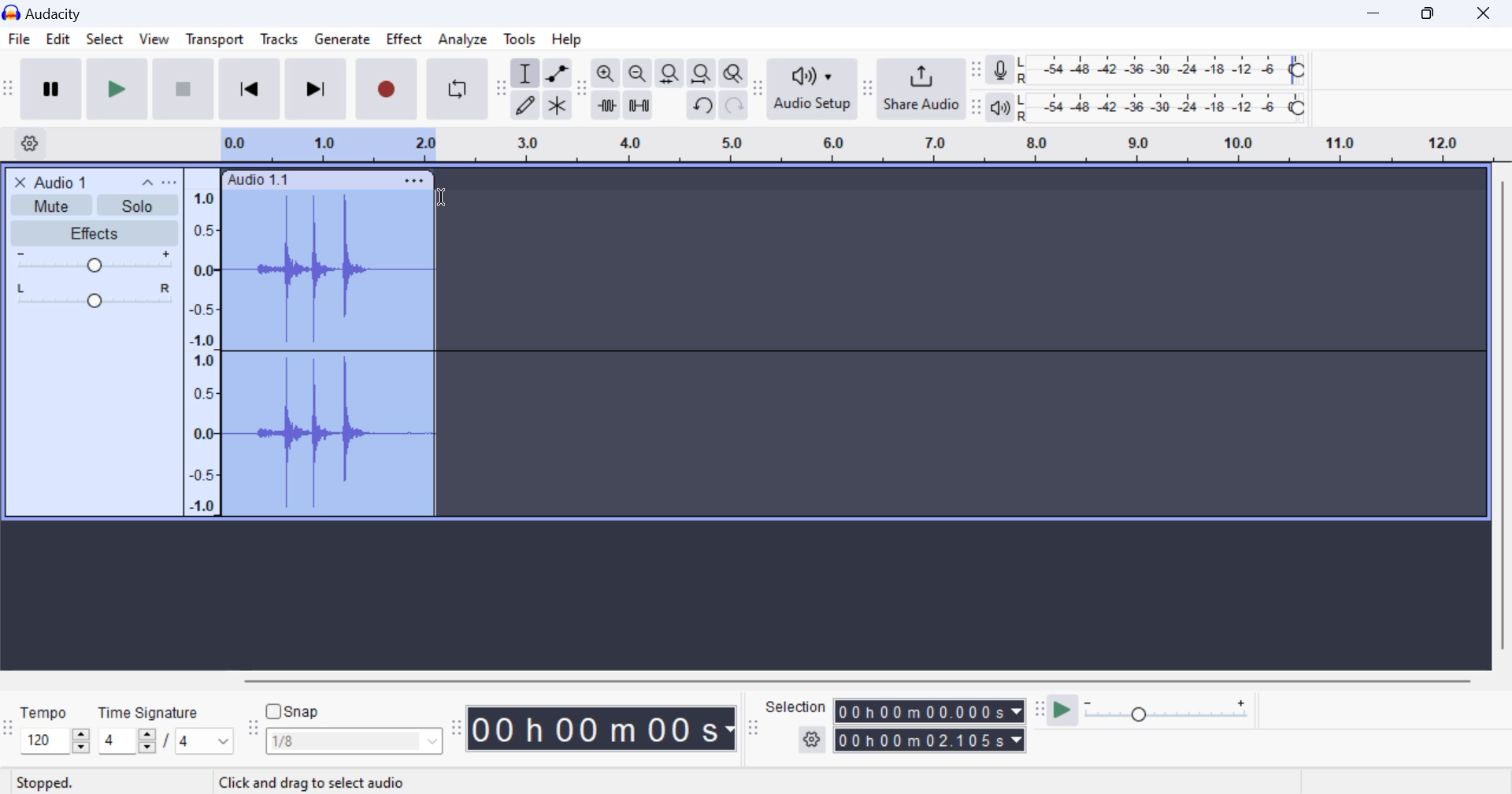 This screenshot has height=794, width=1512. Describe the element at coordinates (369, 781) in the screenshot. I see `Application Tip` at that location.